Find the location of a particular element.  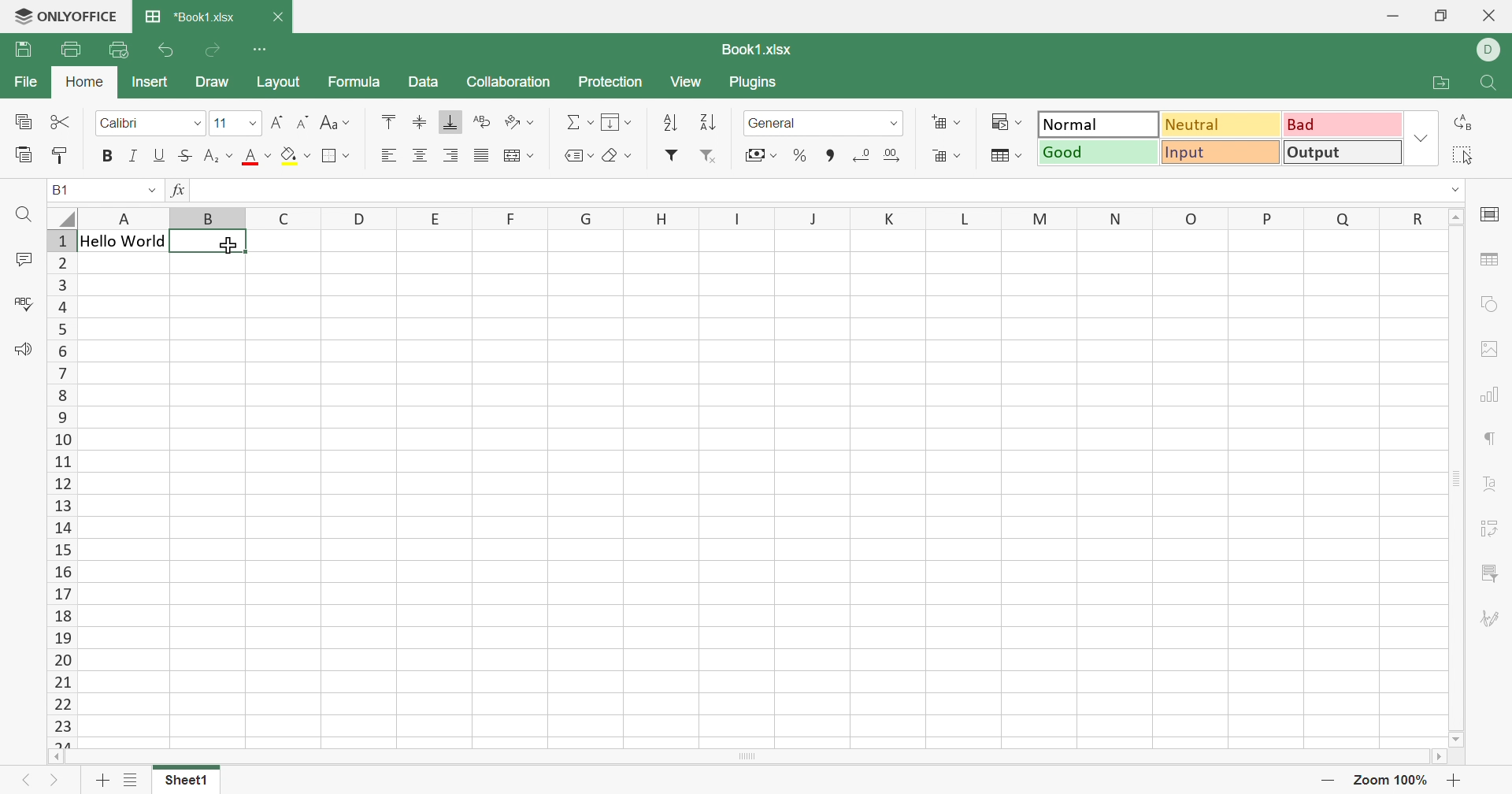

Align center is located at coordinates (420, 154).